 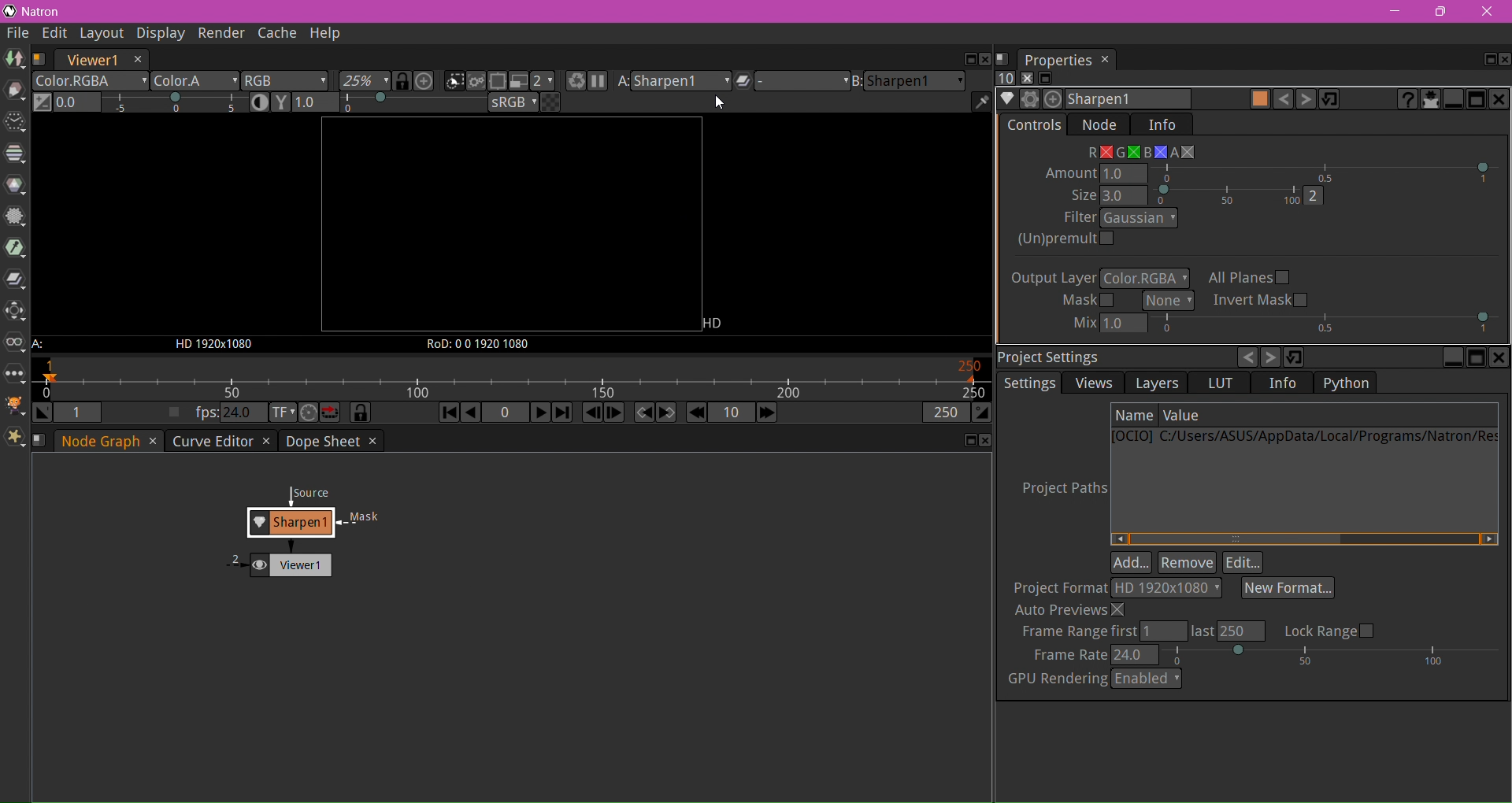 I want to click on When the proxy mode is activated, it scales down the rendered image by this factor to accelerate the rendering, so click(x=543, y=81).